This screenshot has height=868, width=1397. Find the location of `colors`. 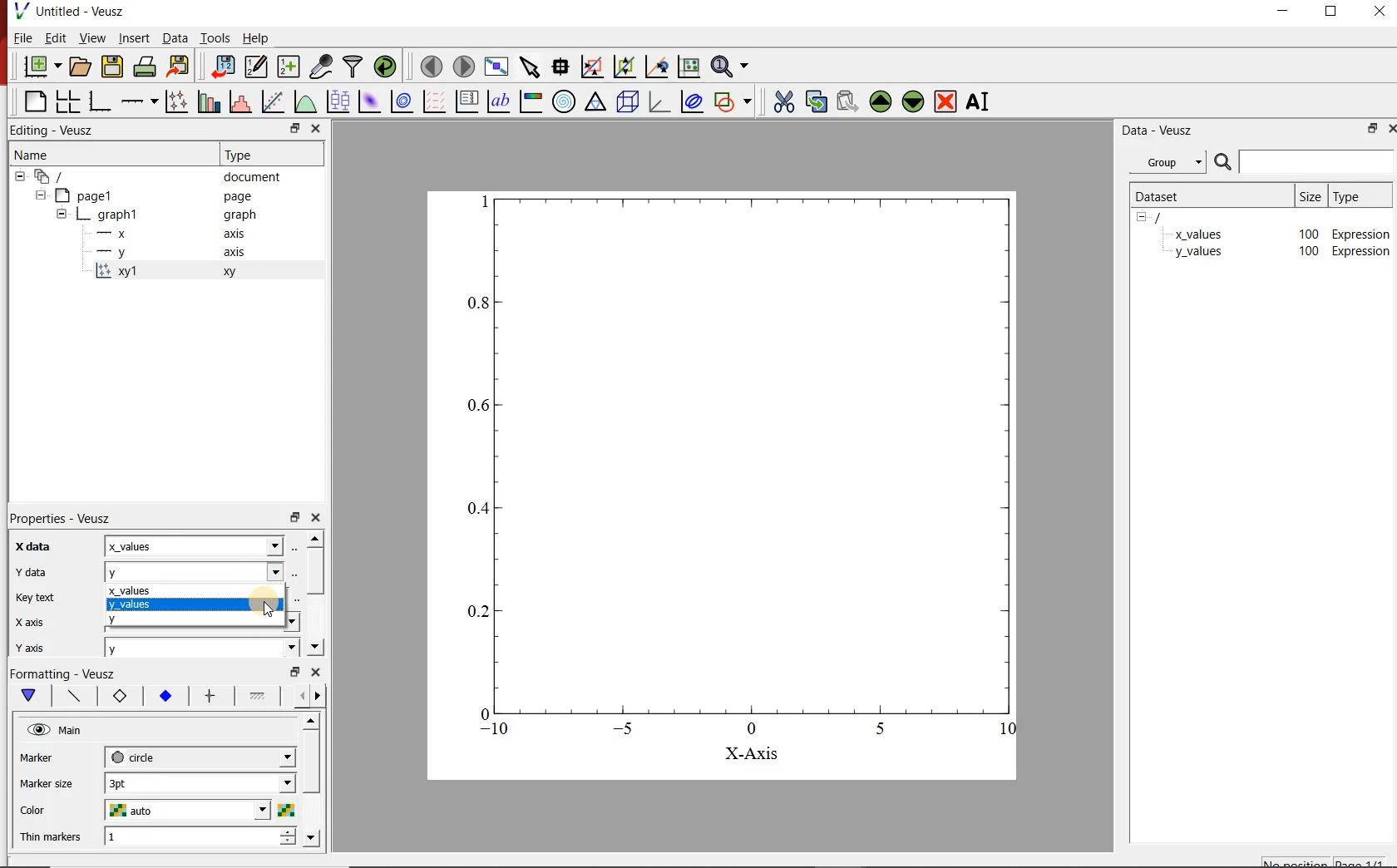

colors is located at coordinates (285, 810).